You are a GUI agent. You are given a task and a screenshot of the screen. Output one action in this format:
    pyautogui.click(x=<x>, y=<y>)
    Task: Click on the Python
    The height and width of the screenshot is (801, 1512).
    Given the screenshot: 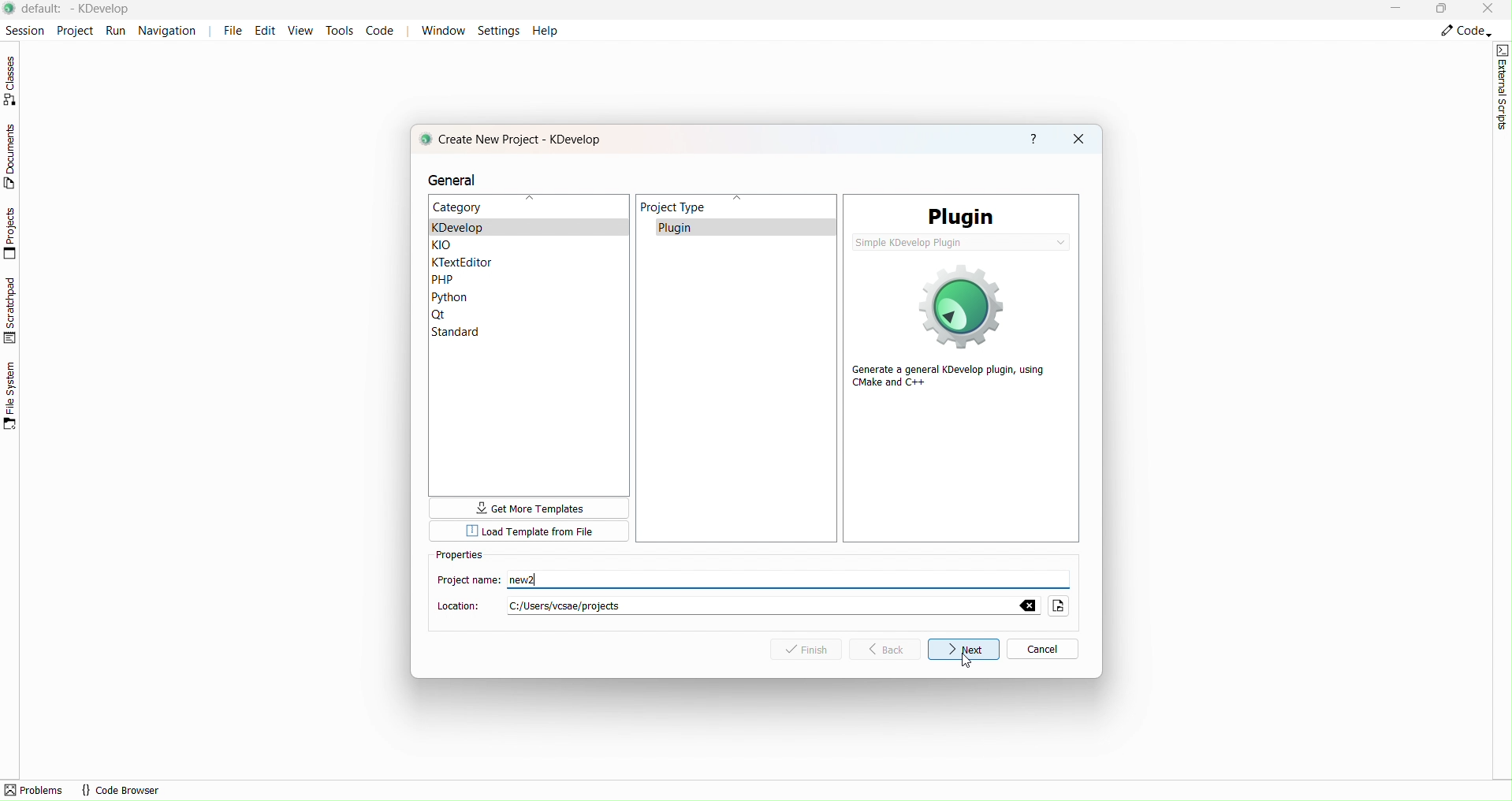 What is the action you would take?
    pyautogui.click(x=452, y=296)
    